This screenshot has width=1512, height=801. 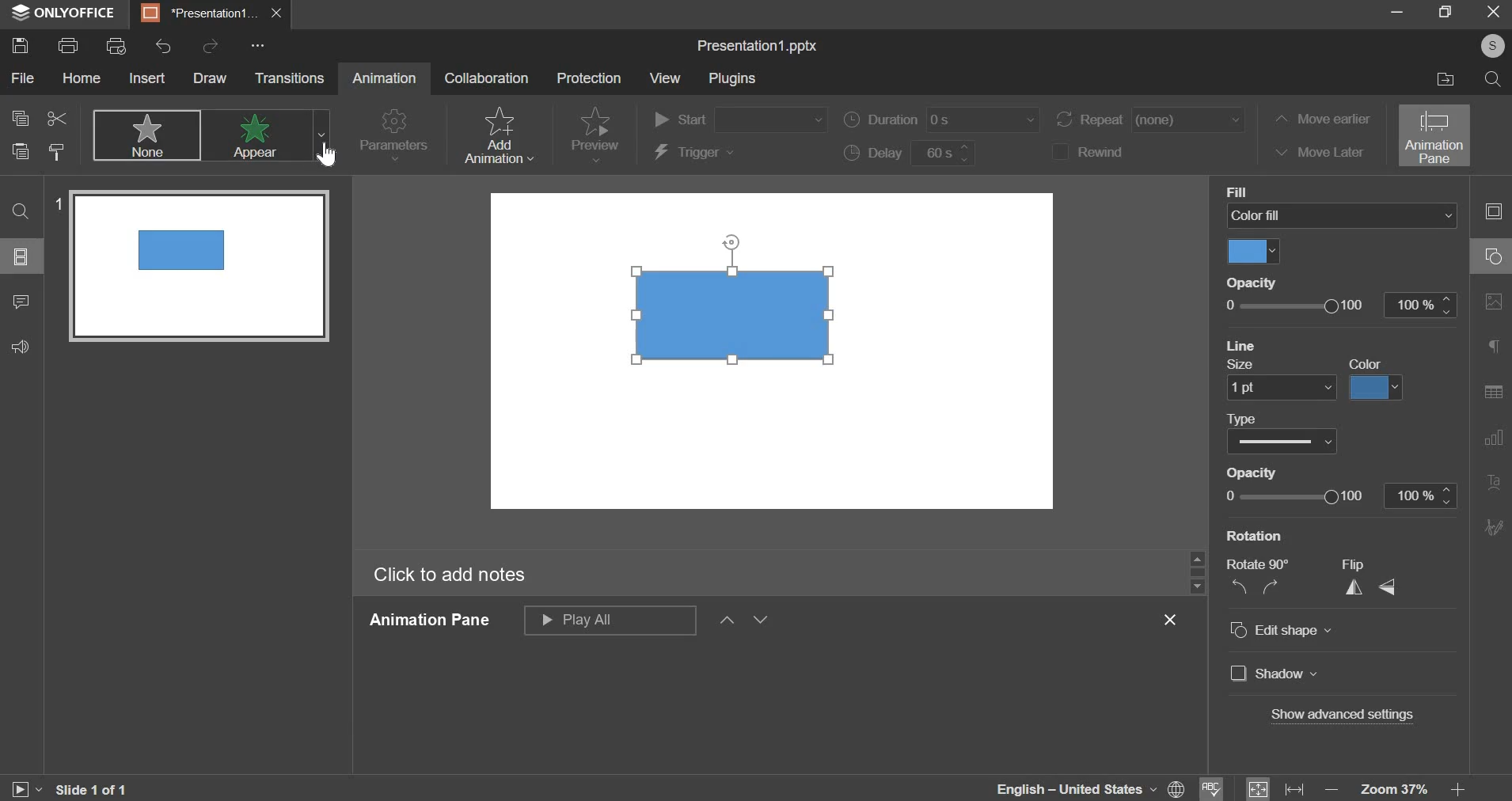 I want to click on print preview, so click(x=117, y=46).